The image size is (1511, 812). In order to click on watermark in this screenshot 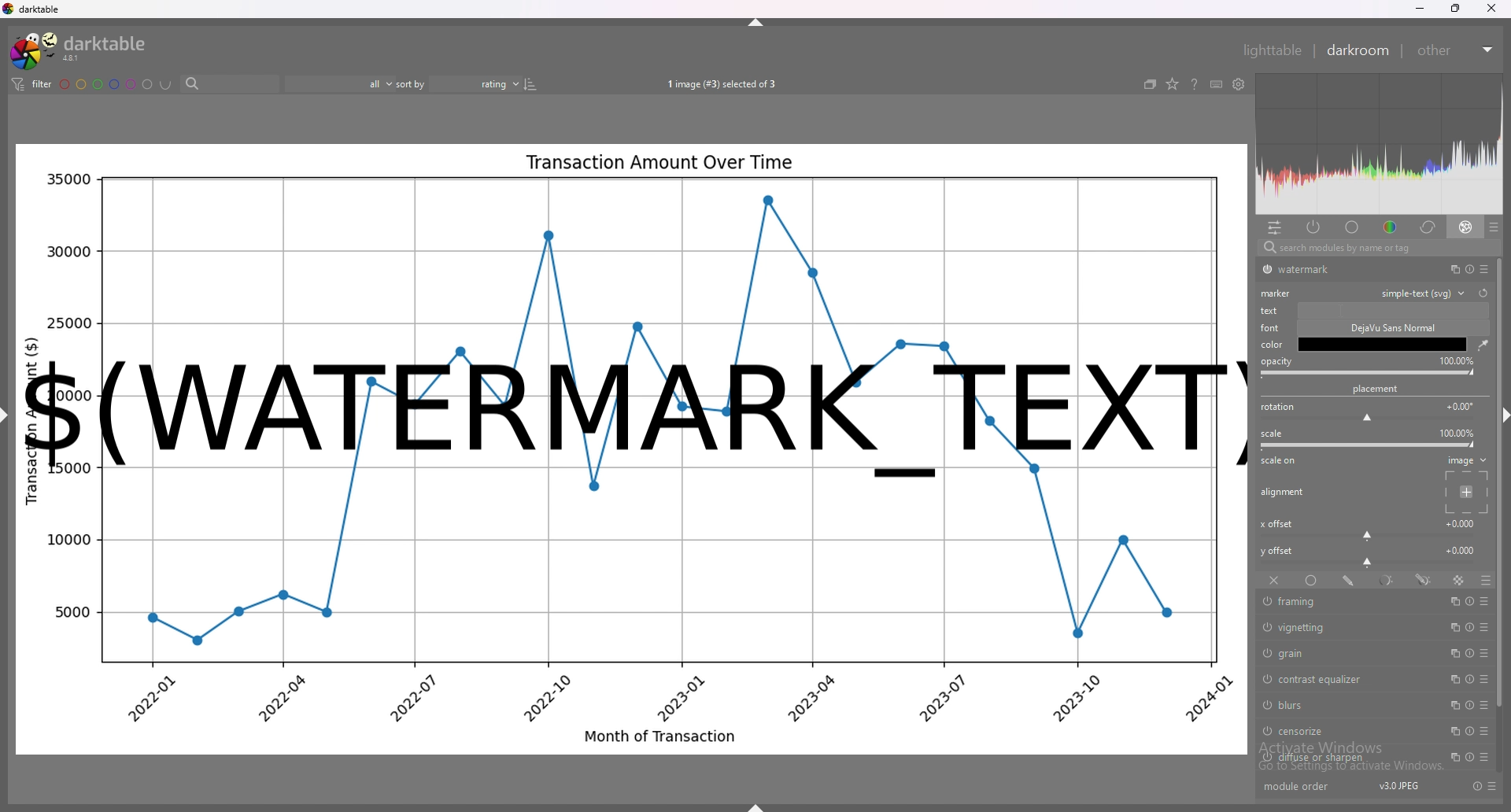, I will do `click(1348, 269)`.